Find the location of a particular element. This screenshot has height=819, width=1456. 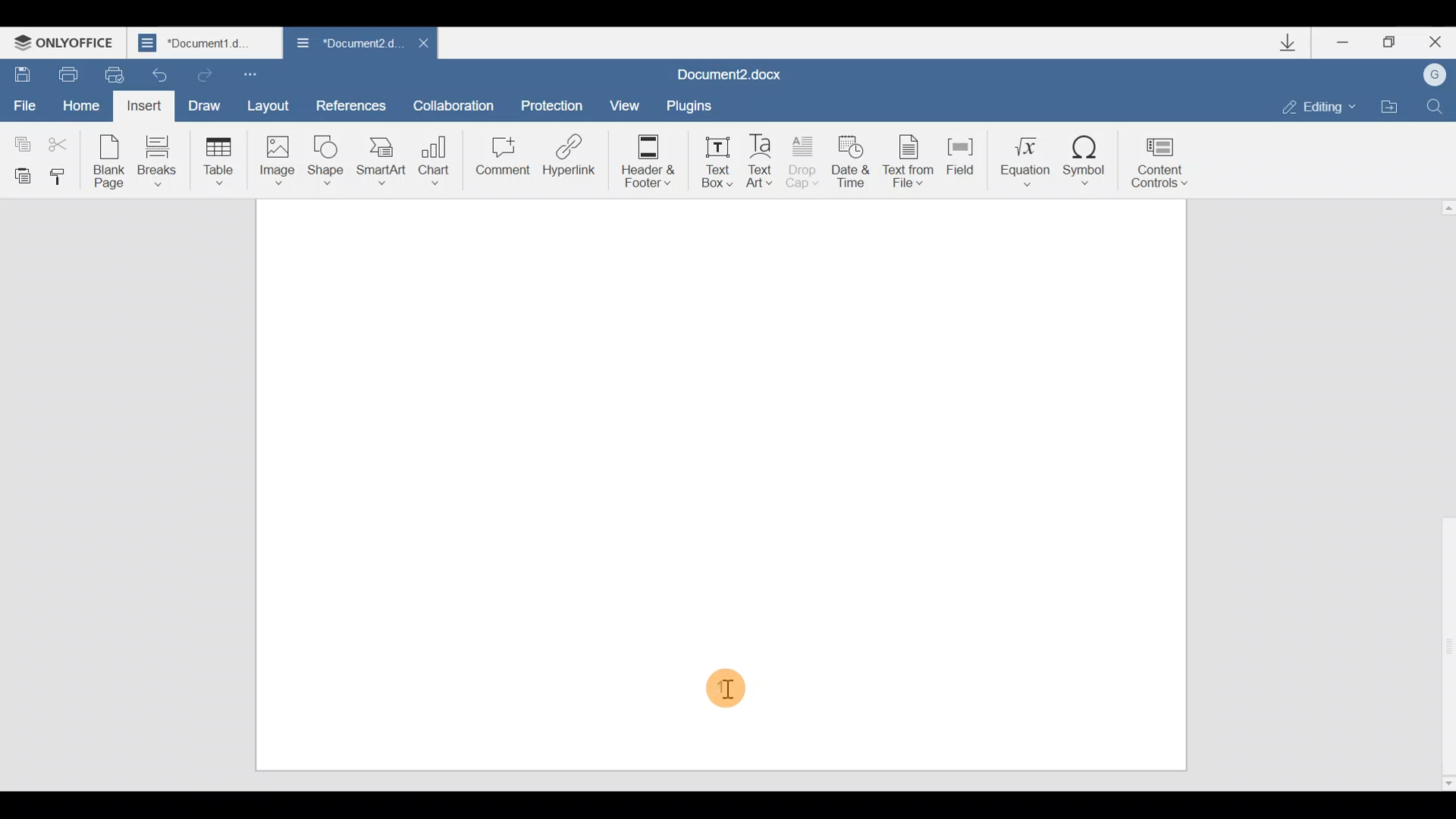

Home is located at coordinates (80, 104).